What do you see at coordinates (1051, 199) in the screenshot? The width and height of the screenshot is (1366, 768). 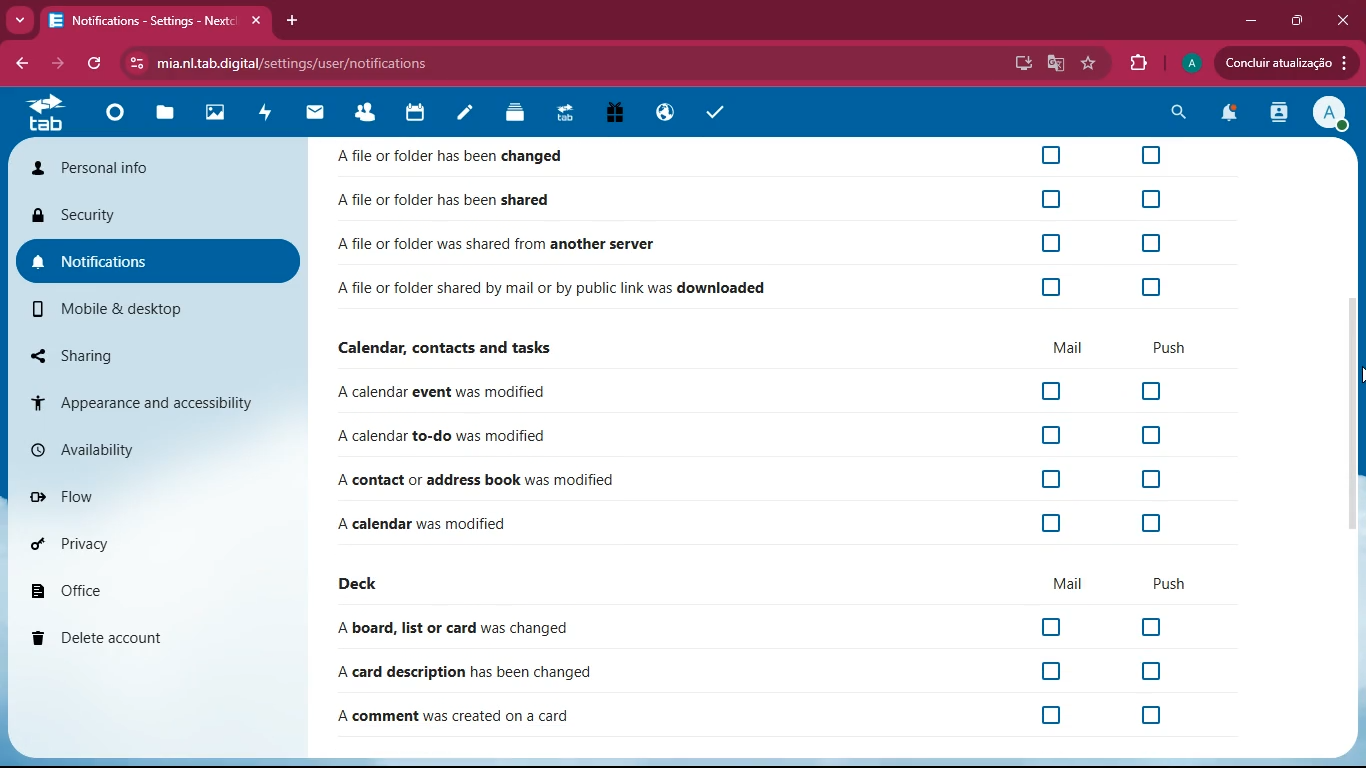 I see `off` at bounding box center [1051, 199].